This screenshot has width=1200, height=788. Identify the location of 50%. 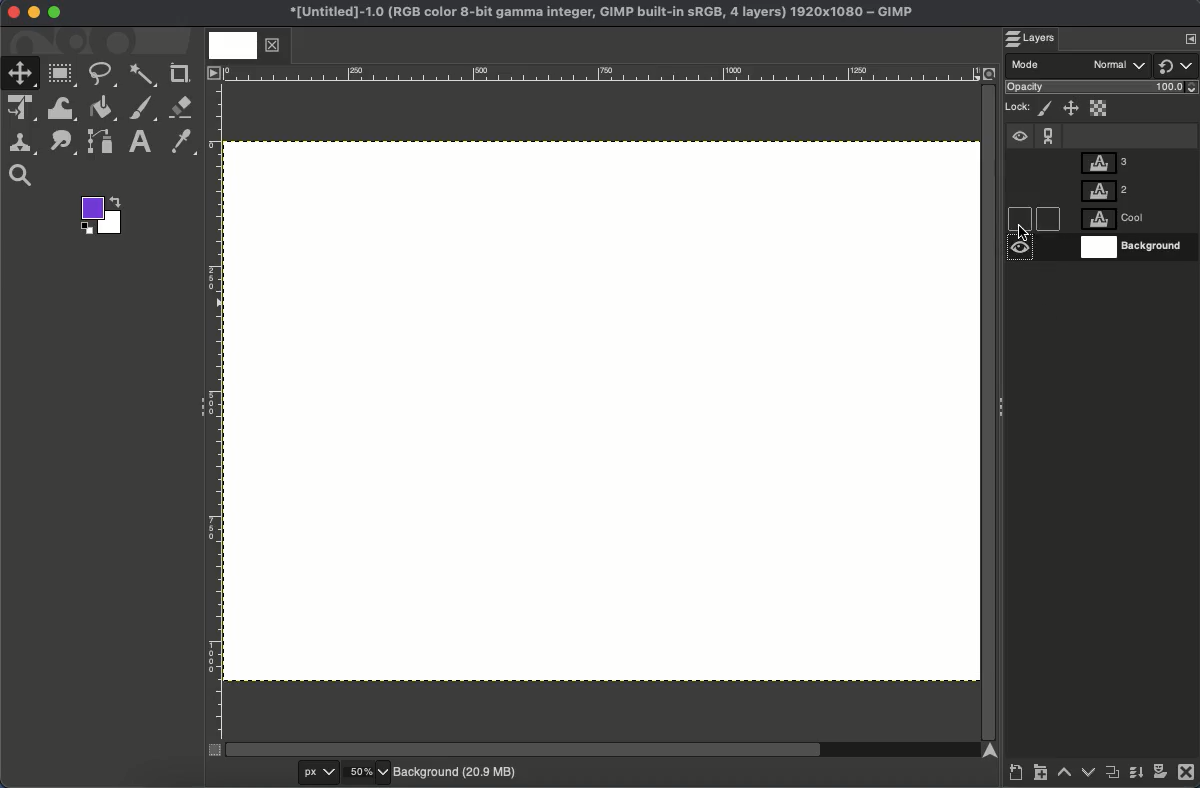
(366, 772).